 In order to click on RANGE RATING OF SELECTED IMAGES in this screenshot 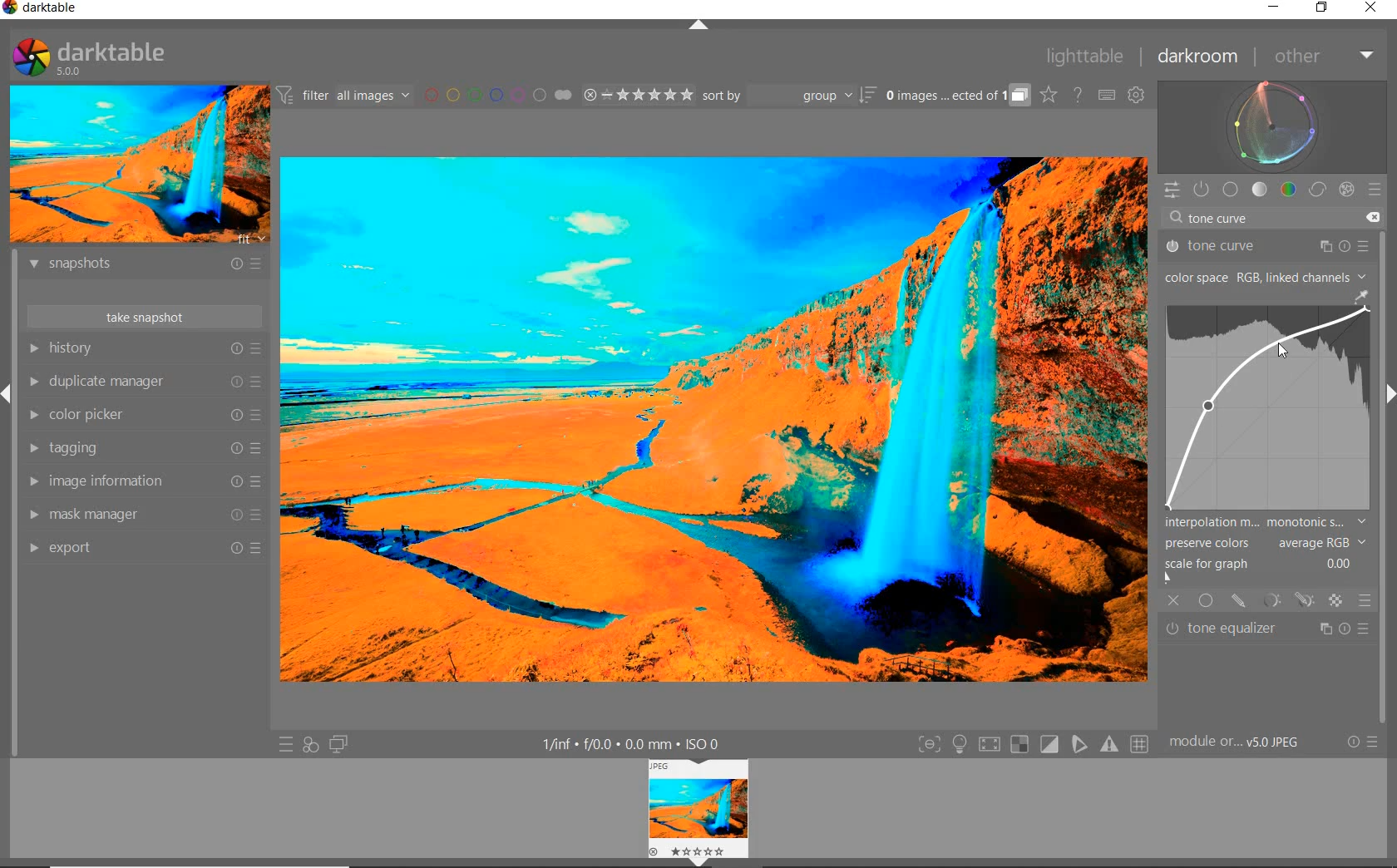, I will do `click(638, 94)`.